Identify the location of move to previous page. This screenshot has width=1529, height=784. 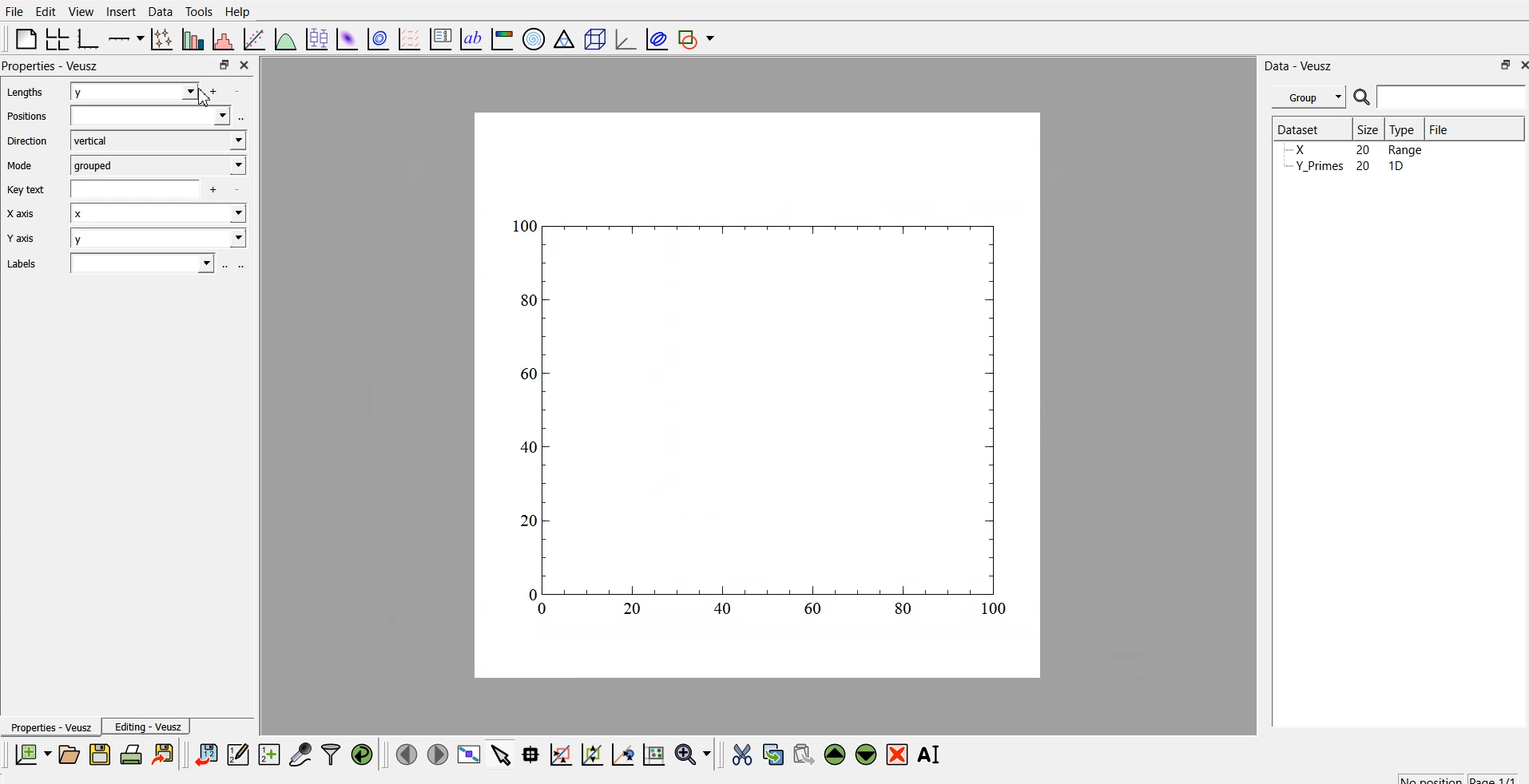
(404, 754).